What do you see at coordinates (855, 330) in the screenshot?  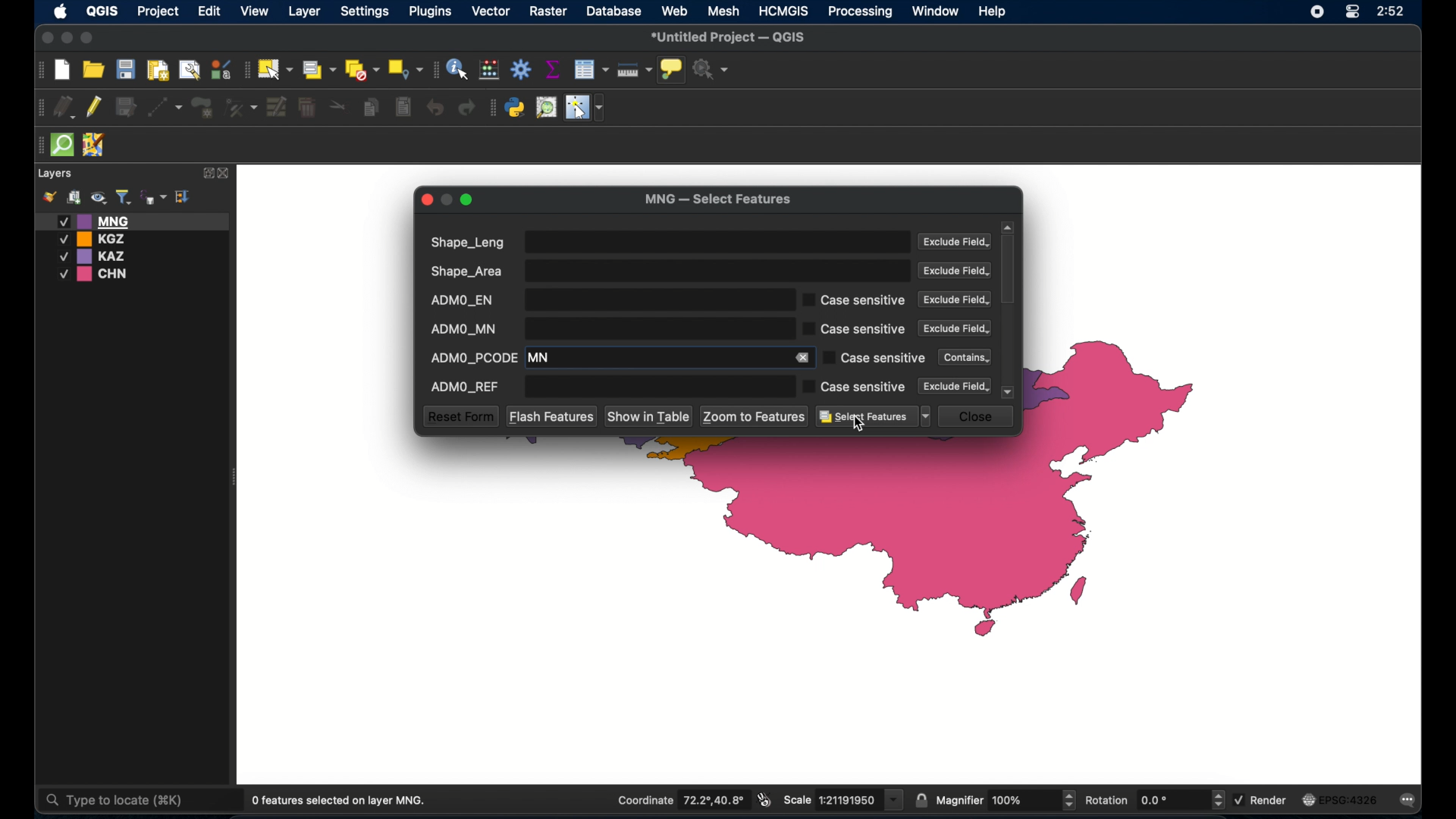 I see `case sensitive` at bounding box center [855, 330].